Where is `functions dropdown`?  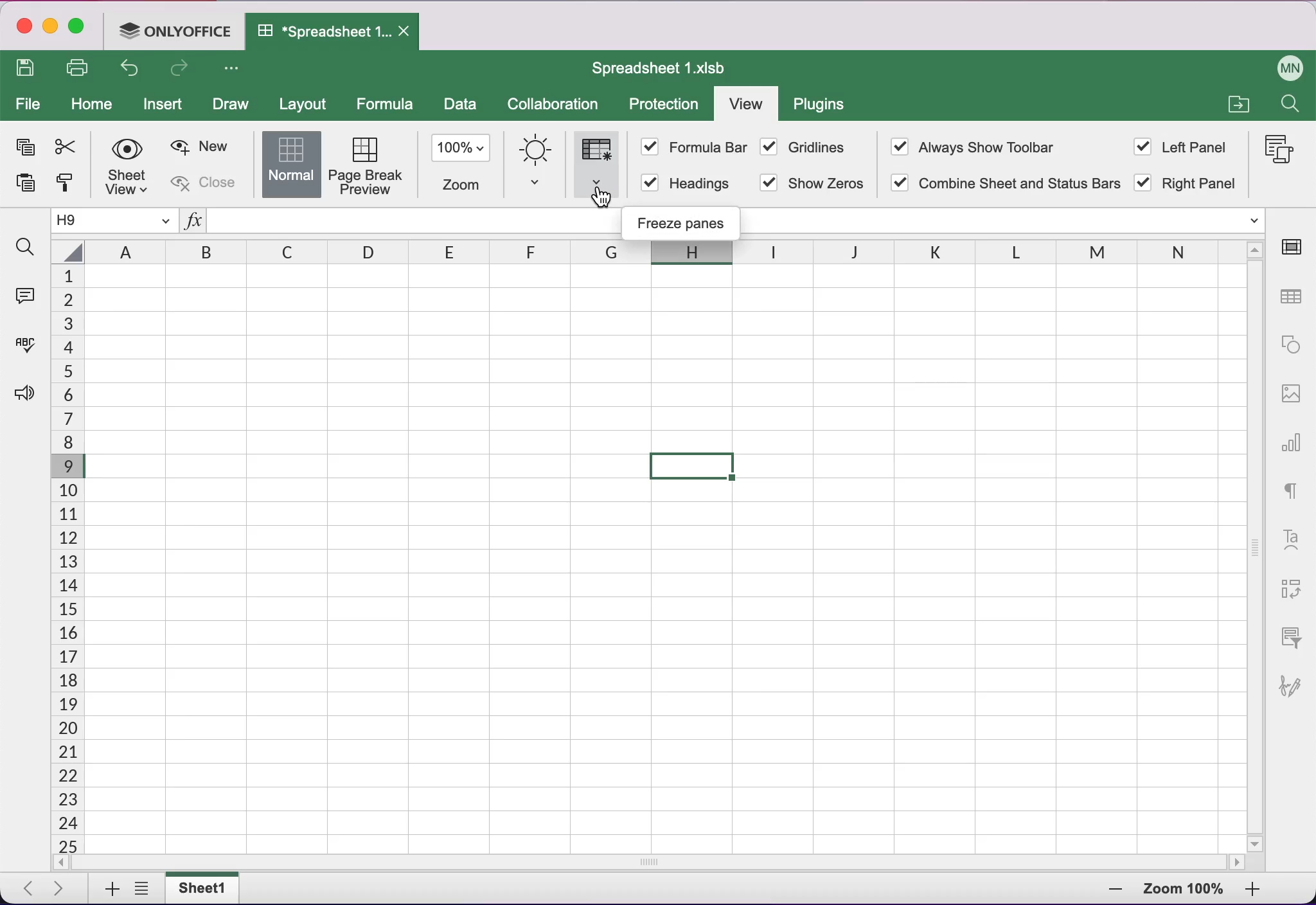
functions dropdown is located at coordinates (1254, 221).